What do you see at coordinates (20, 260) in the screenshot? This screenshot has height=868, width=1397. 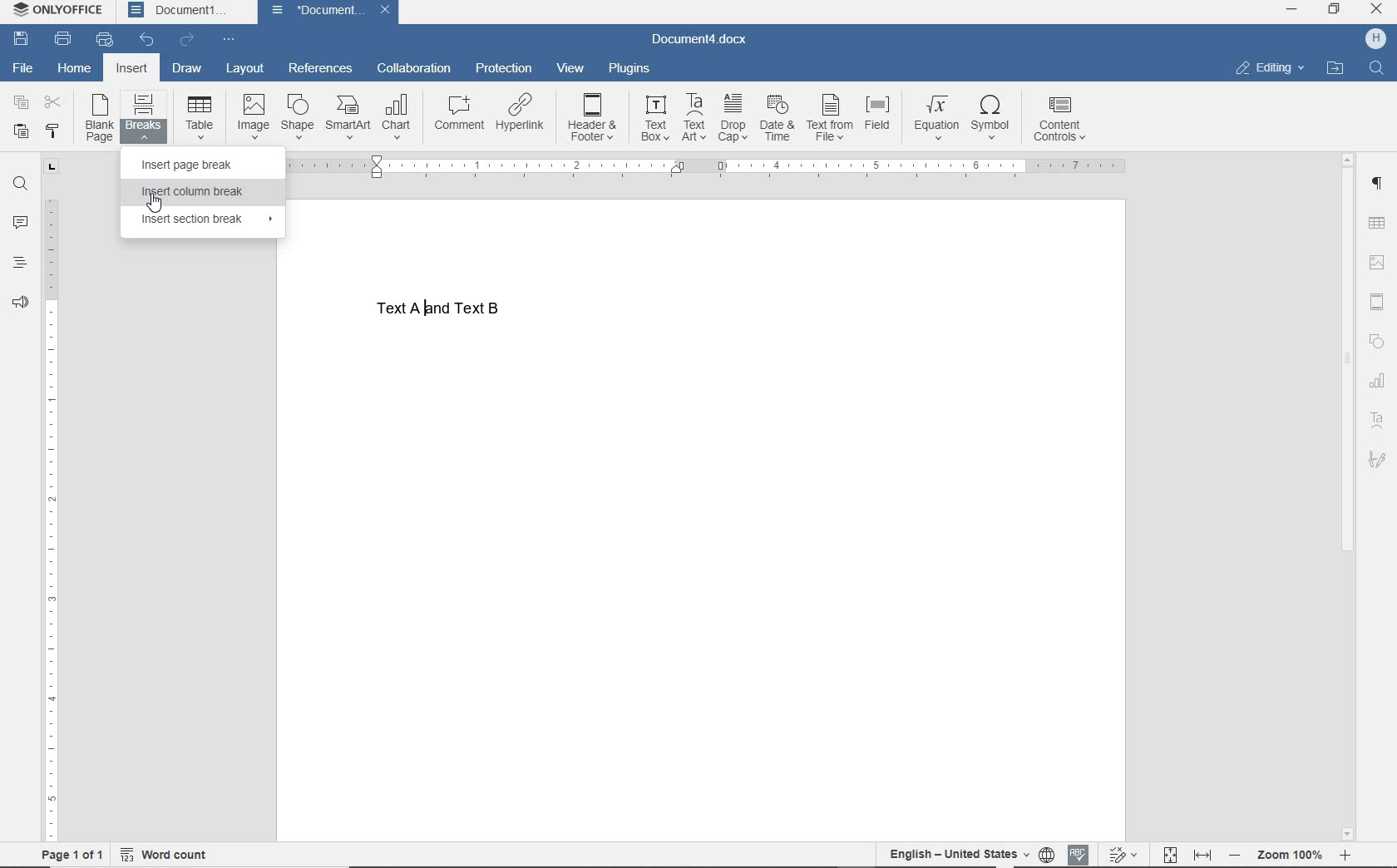 I see `HEADINGS` at bounding box center [20, 260].